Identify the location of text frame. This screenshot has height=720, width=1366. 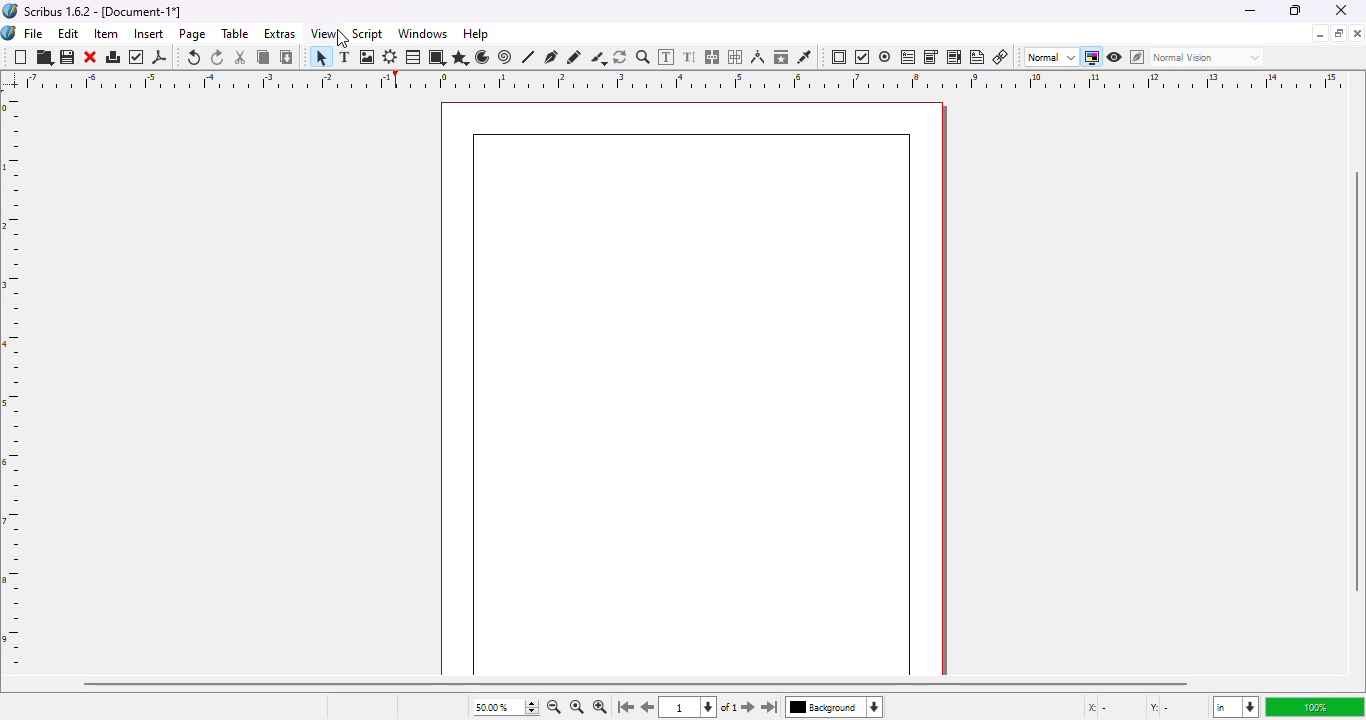
(344, 57).